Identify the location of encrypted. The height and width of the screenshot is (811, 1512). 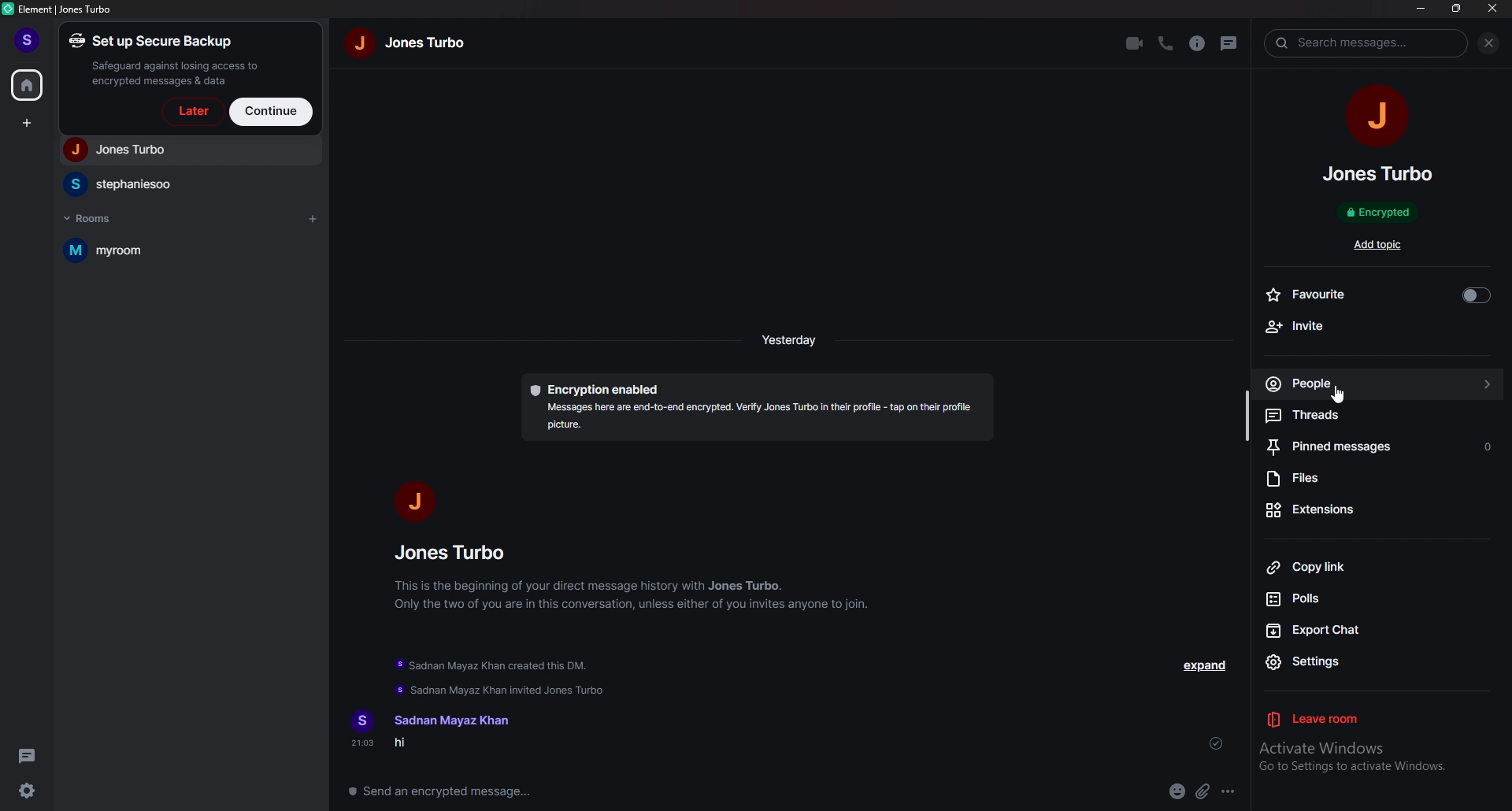
(1380, 213).